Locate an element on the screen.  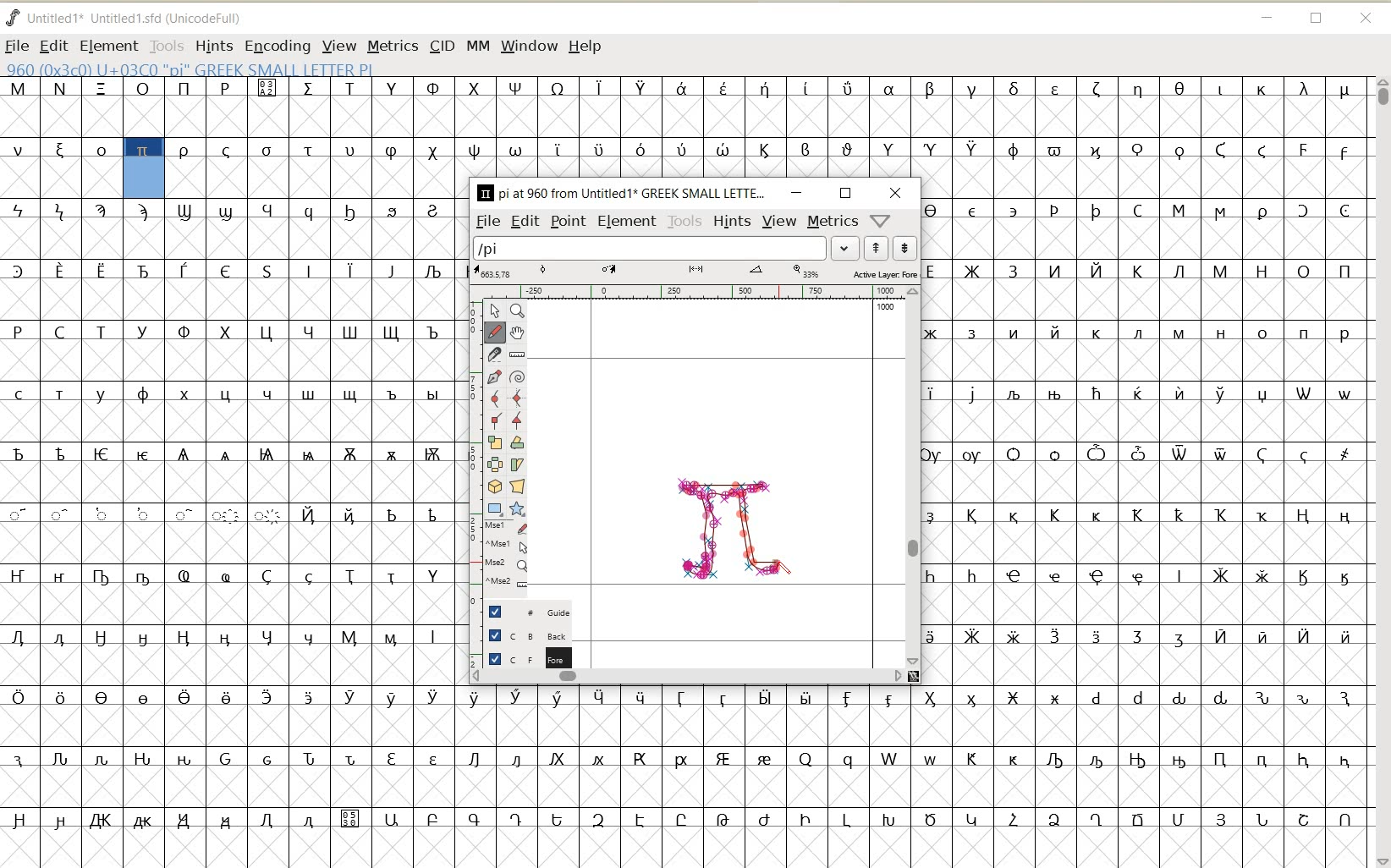
measure a distance, angle between points is located at coordinates (518, 354).